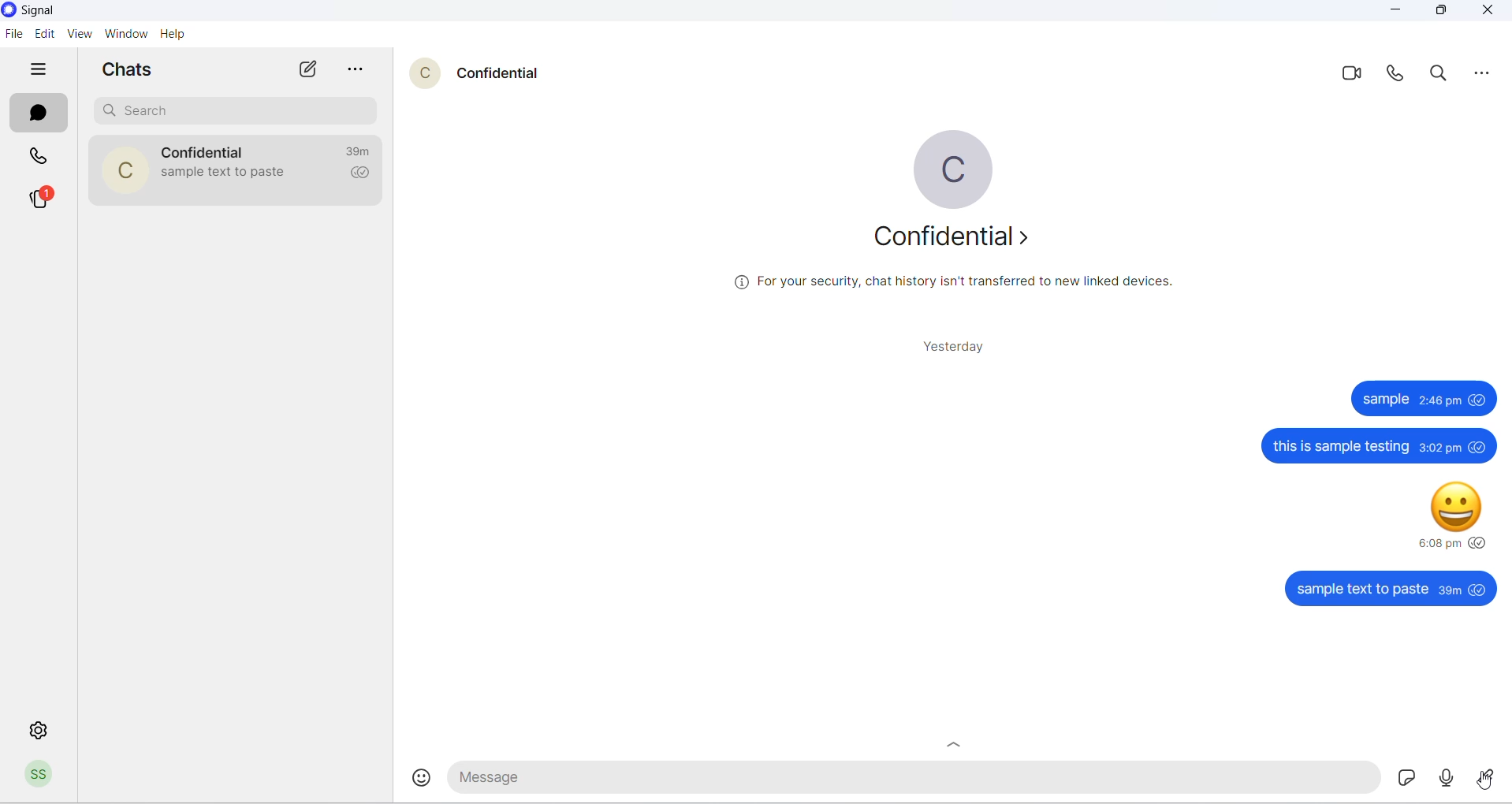  I want to click on contact name, so click(207, 150).